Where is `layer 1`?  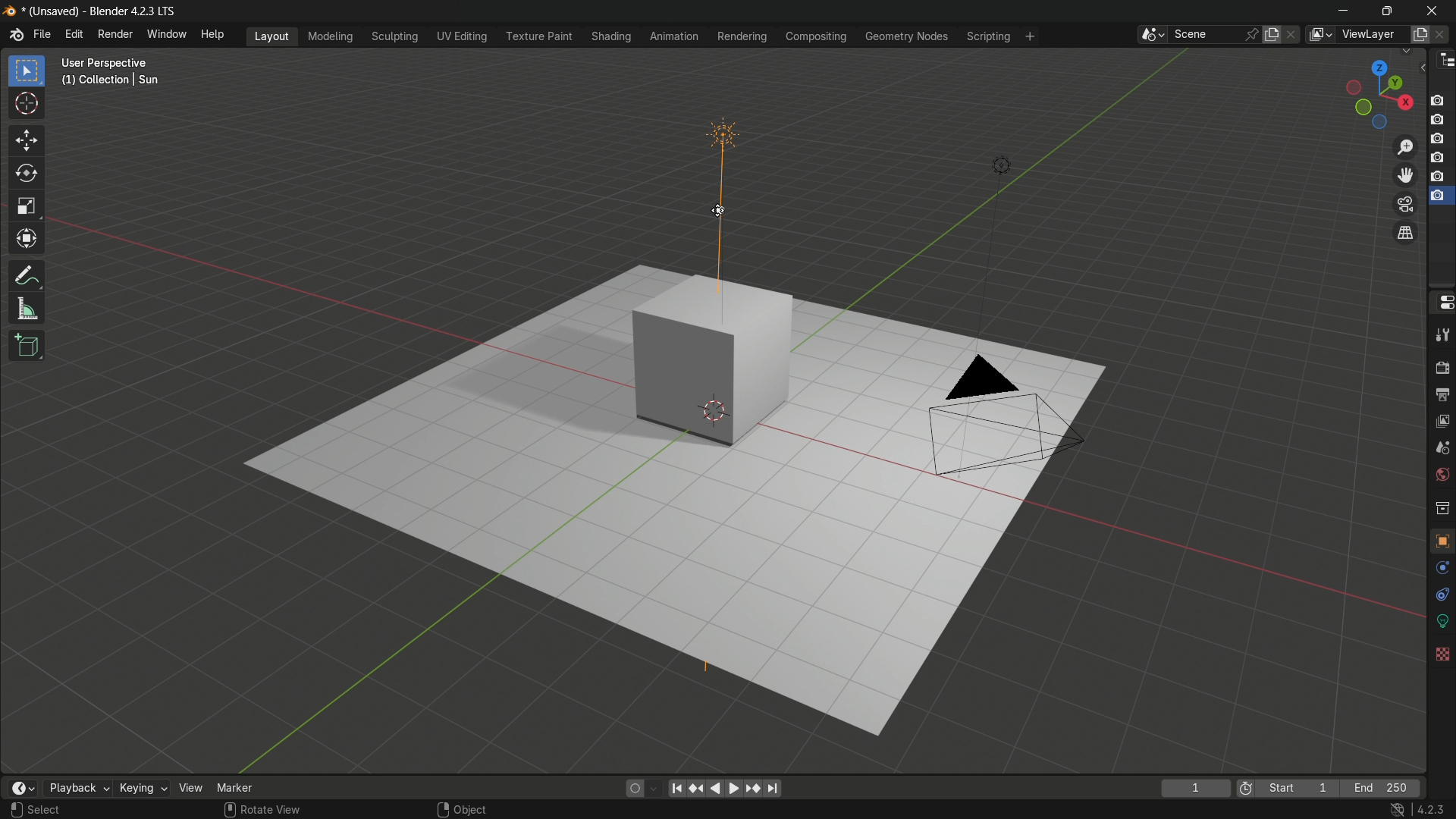 layer 1 is located at coordinates (1438, 100).